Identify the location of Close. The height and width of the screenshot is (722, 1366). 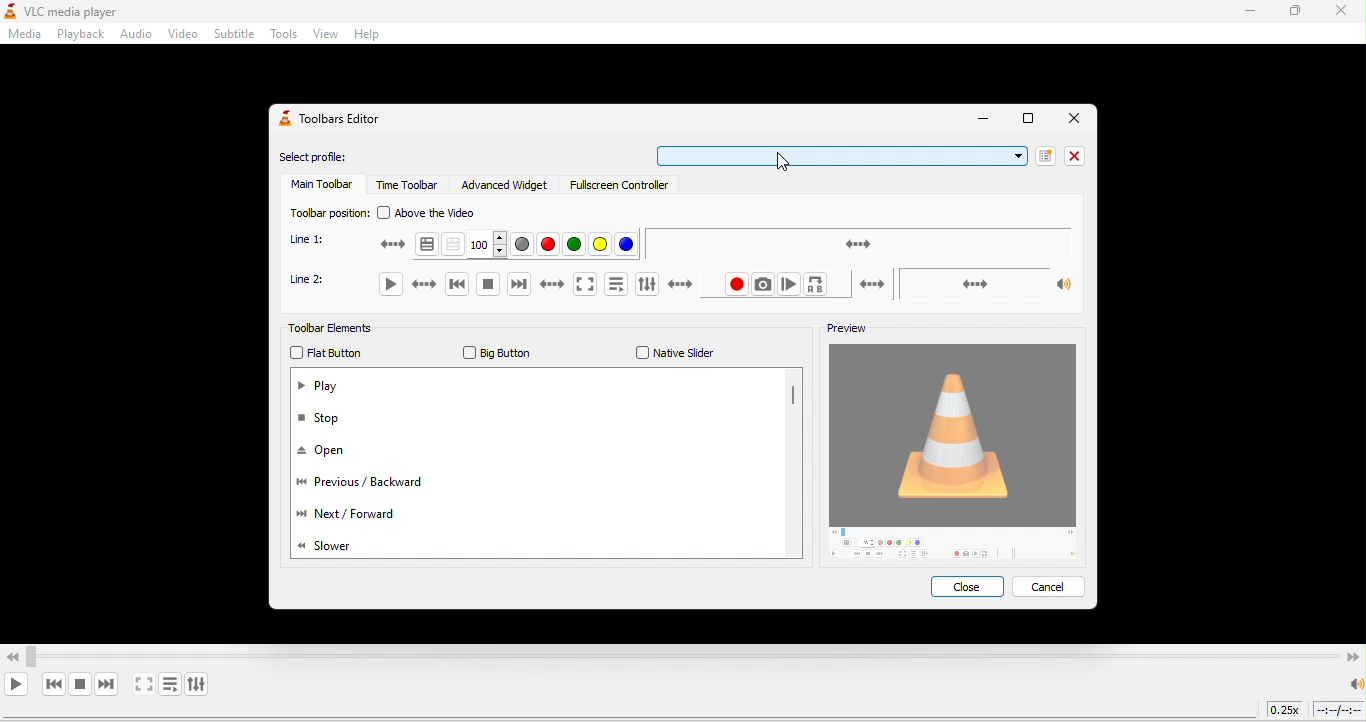
(1074, 118).